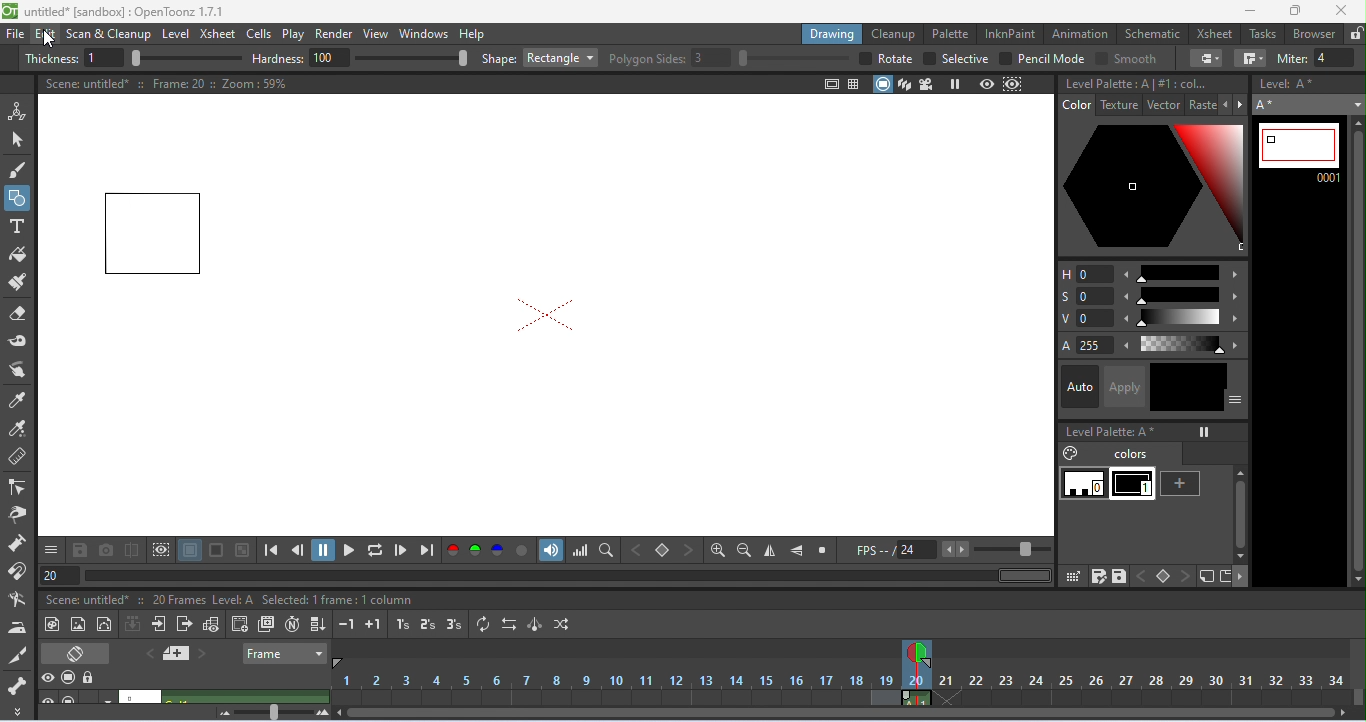 The height and width of the screenshot is (722, 1366). Describe the element at coordinates (508, 624) in the screenshot. I see `reverse` at that location.